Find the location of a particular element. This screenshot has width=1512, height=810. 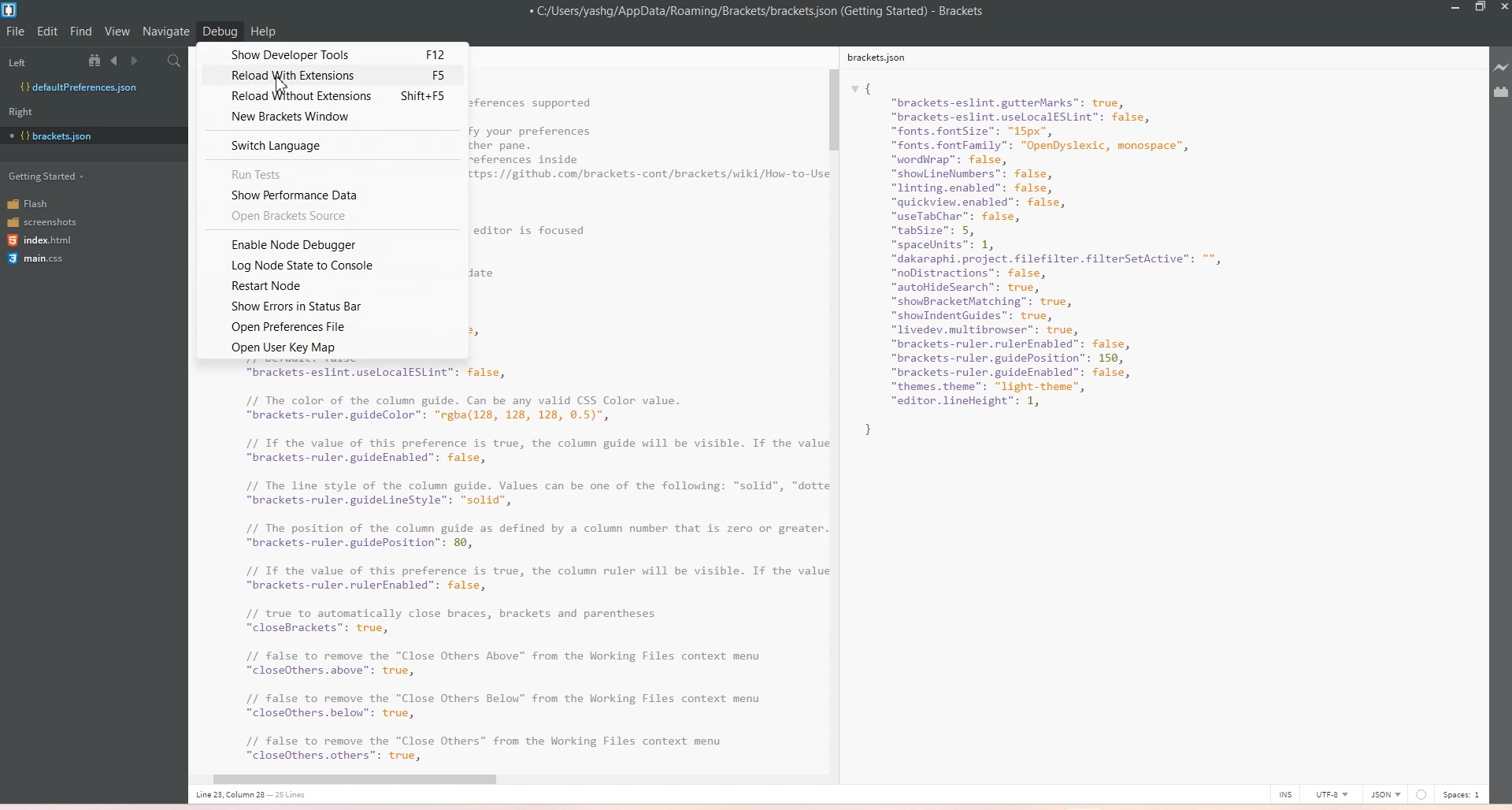

Open user key map is located at coordinates (331, 347).